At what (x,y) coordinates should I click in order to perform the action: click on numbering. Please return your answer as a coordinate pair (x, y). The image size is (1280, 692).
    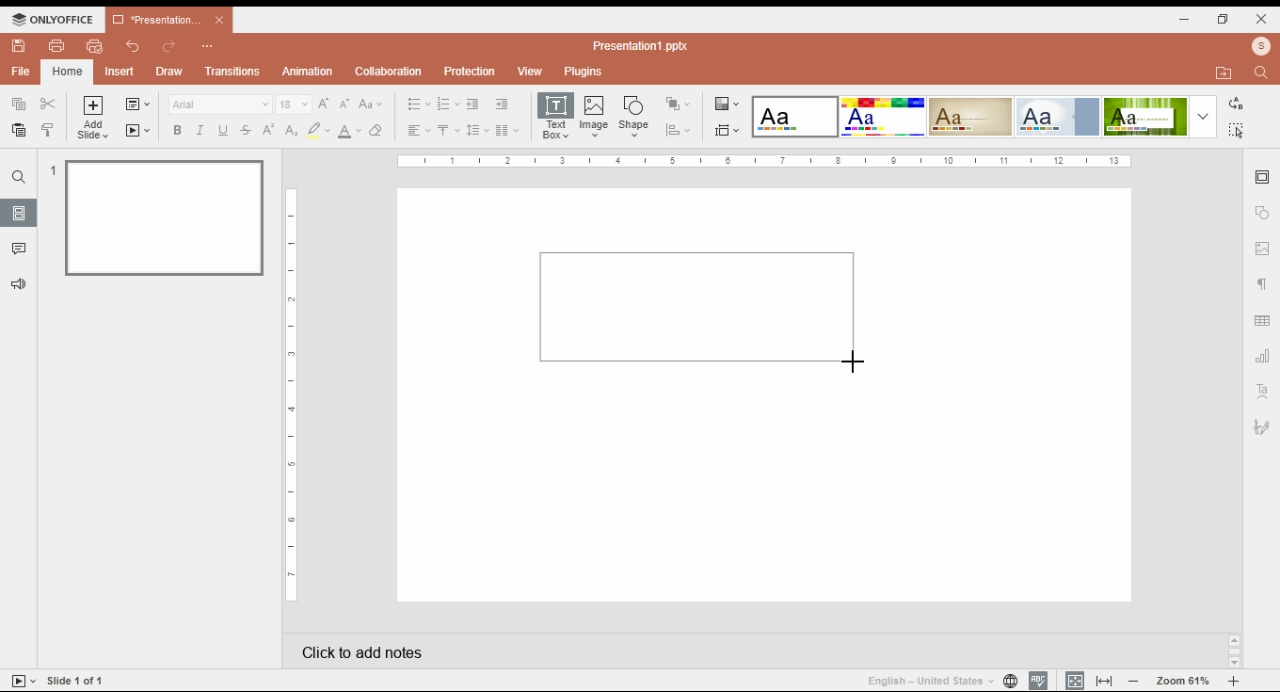
    Looking at the image, I should click on (448, 104).